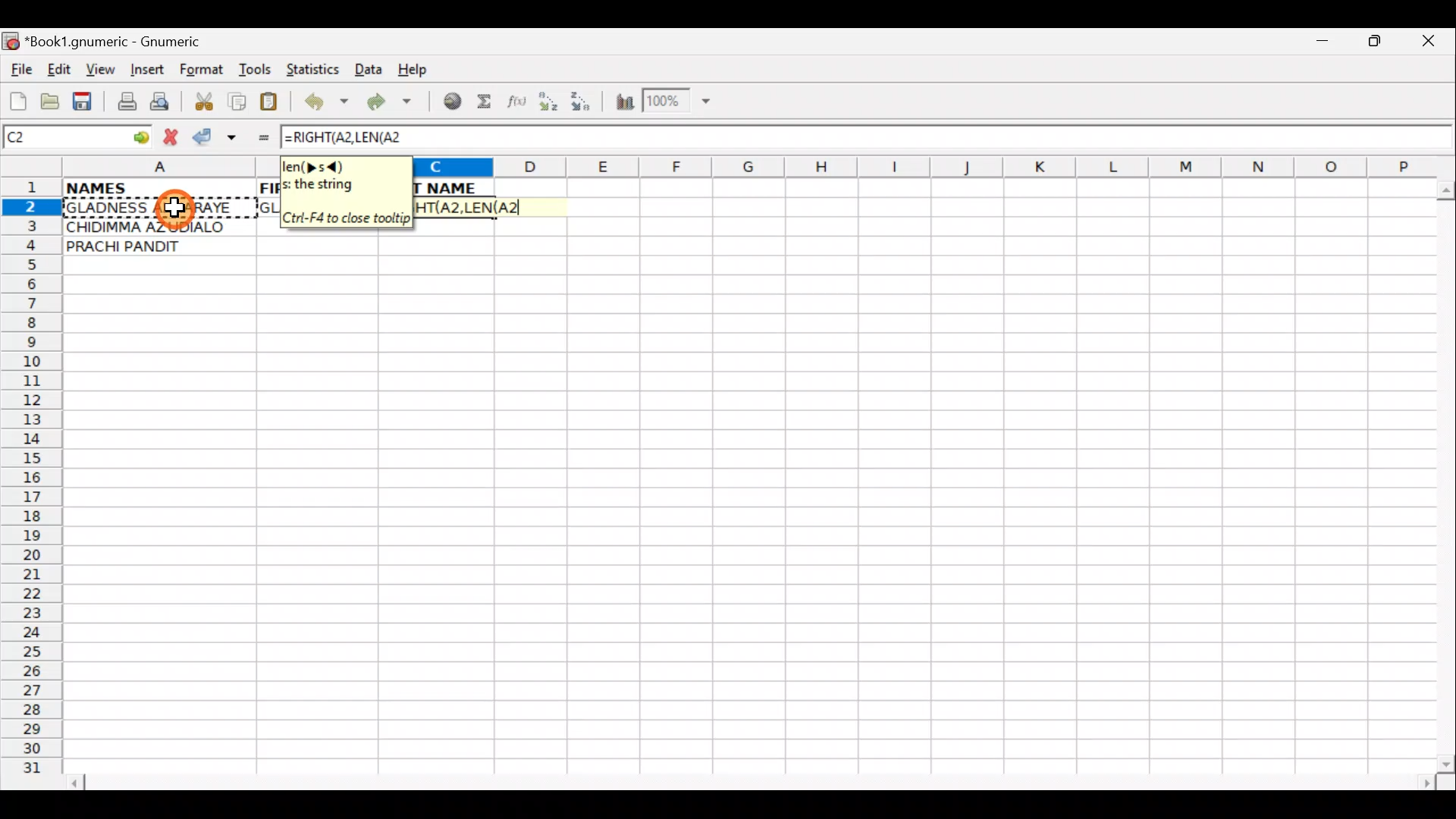  I want to click on Format, so click(205, 71).